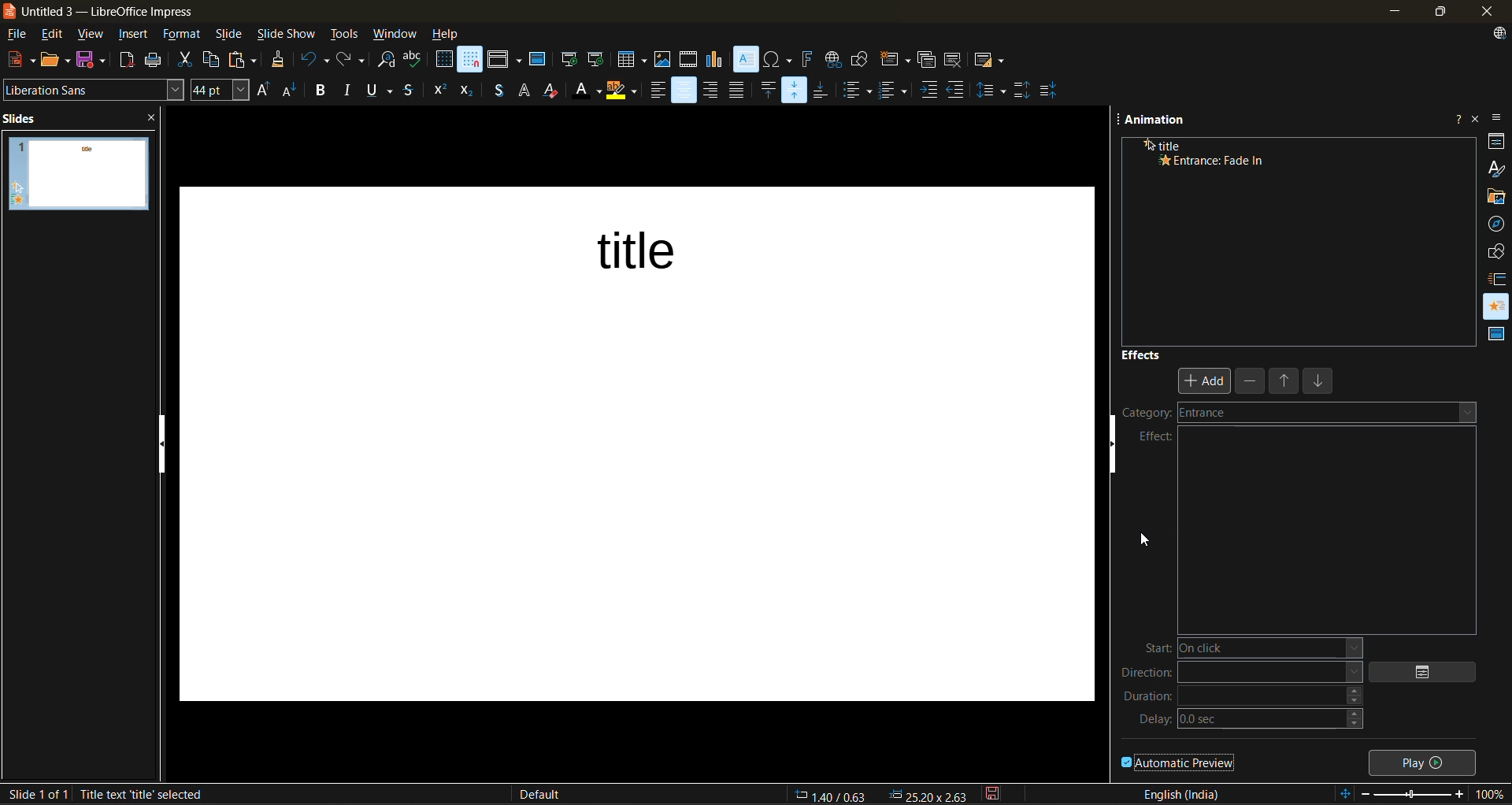  Describe the element at coordinates (684, 91) in the screenshot. I see `align center` at that location.